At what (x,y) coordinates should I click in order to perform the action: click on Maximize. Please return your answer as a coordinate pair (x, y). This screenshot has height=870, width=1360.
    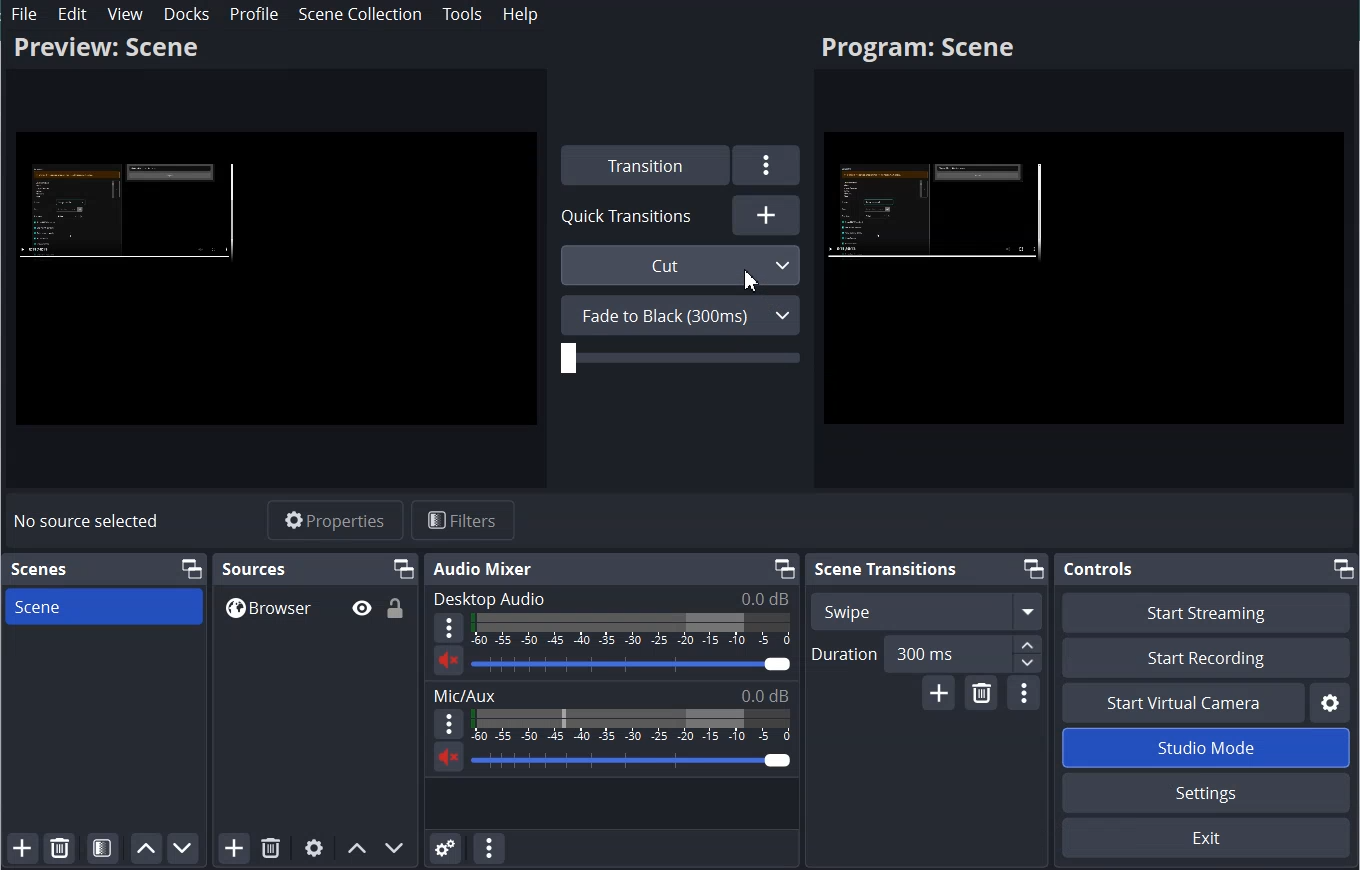
    Looking at the image, I should click on (404, 568).